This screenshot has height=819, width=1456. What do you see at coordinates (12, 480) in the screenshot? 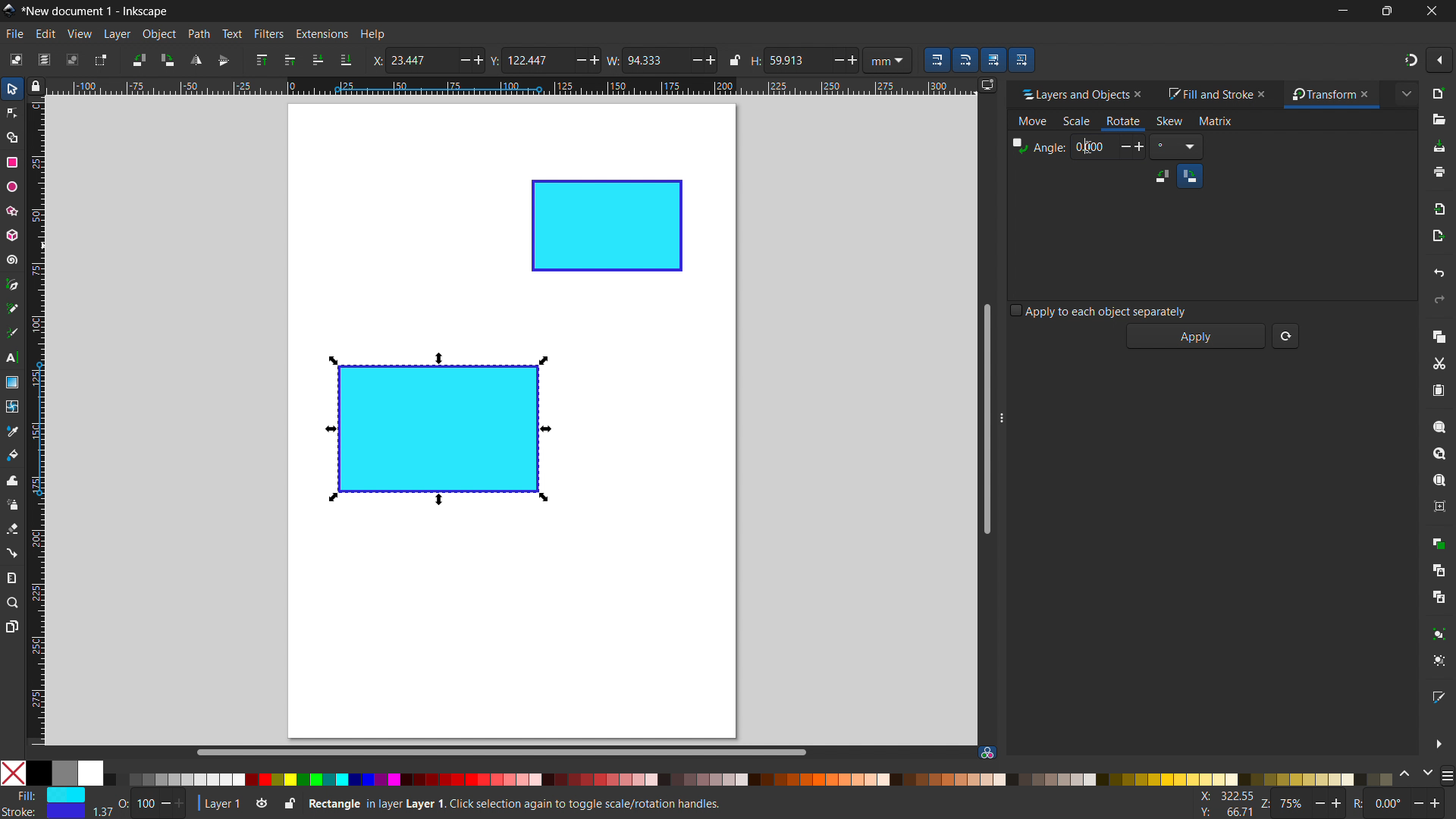
I see `tweak tool` at bounding box center [12, 480].